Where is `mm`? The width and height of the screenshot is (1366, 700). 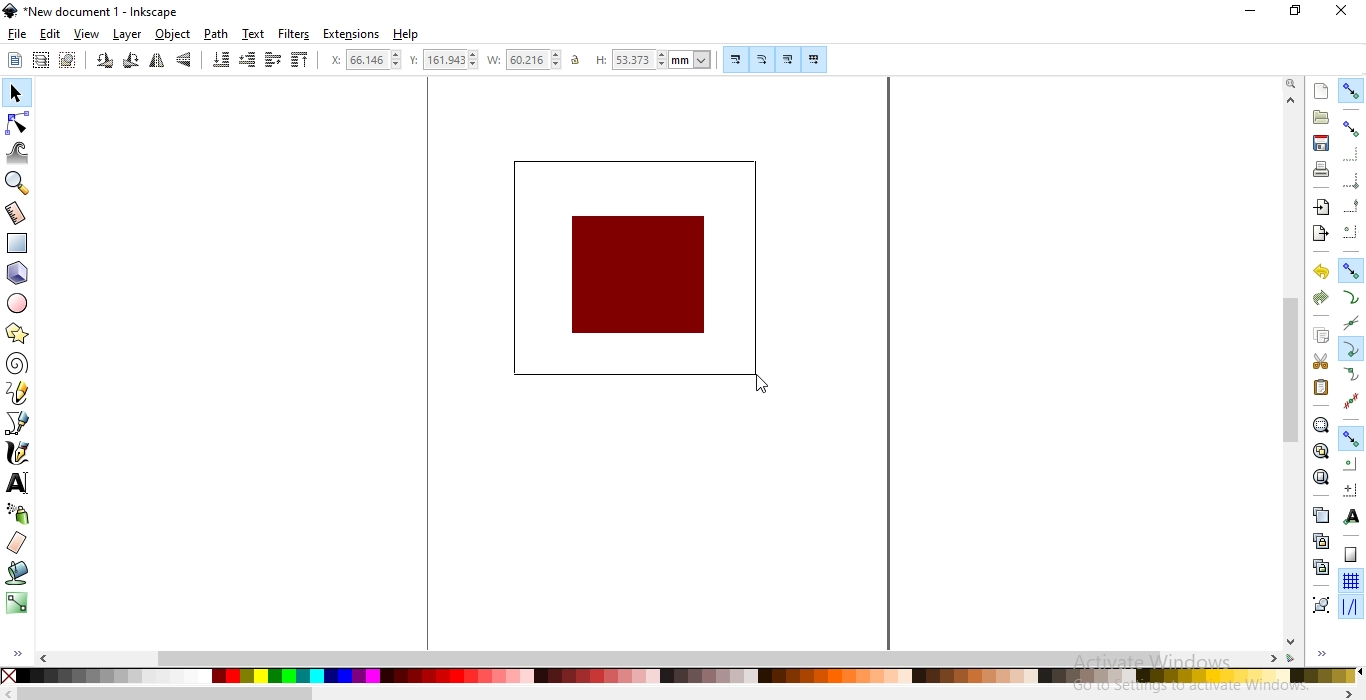
mm is located at coordinates (692, 59).